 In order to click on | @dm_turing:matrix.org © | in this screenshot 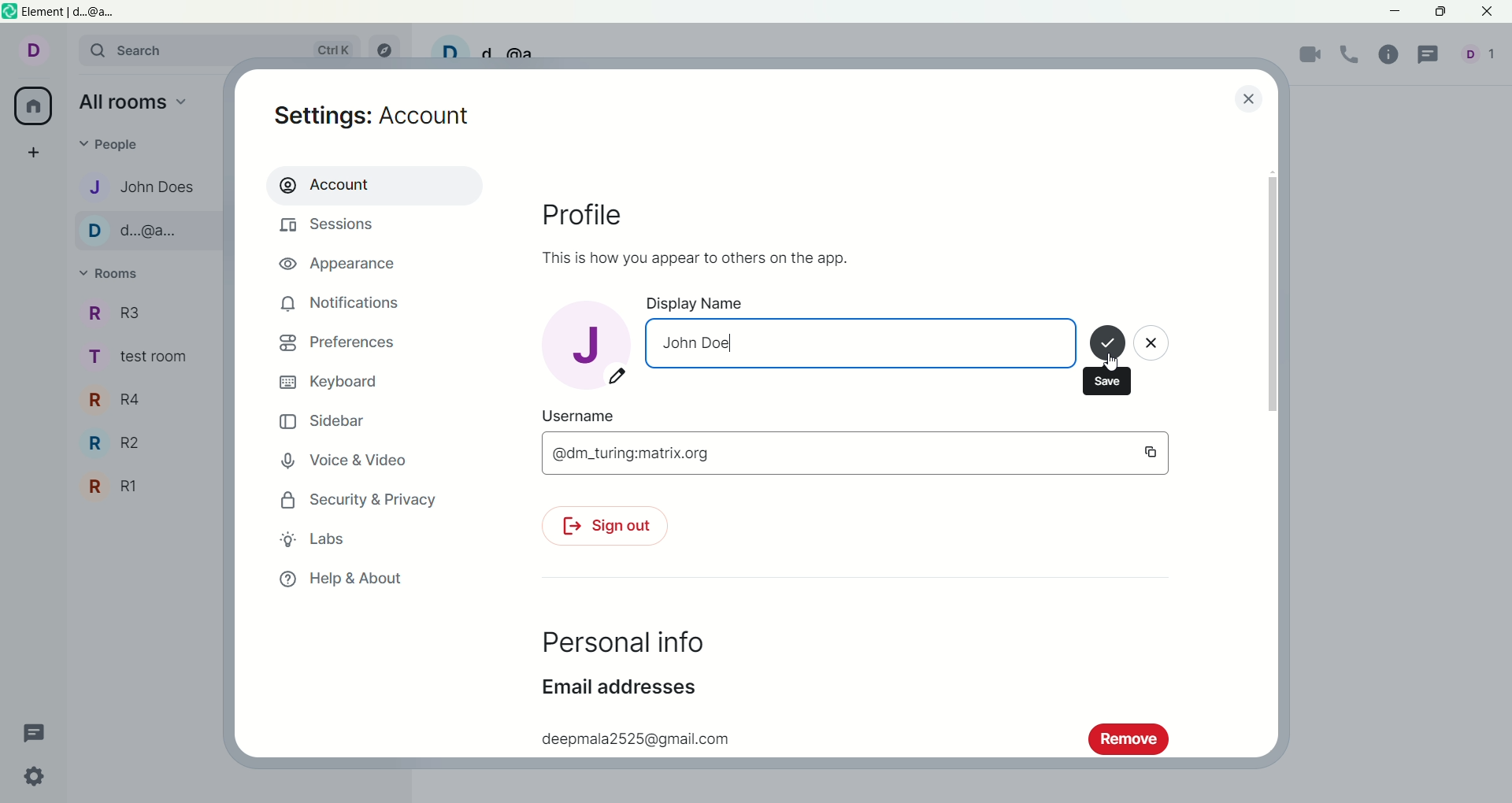, I will do `click(852, 453)`.